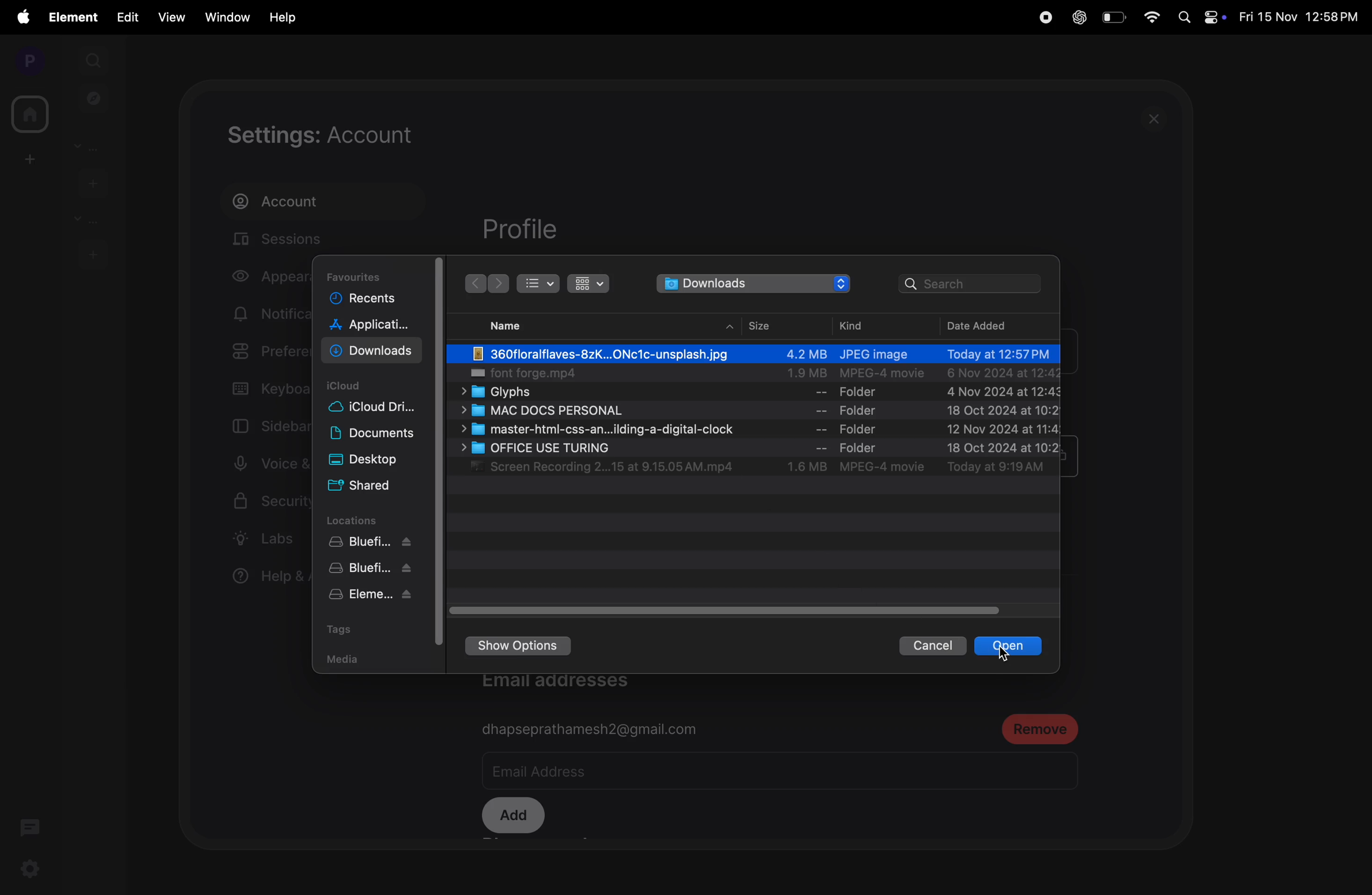 This screenshot has height=895, width=1372. What do you see at coordinates (95, 59) in the screenshot?
I see `search1` at bounding box center [95, 59].